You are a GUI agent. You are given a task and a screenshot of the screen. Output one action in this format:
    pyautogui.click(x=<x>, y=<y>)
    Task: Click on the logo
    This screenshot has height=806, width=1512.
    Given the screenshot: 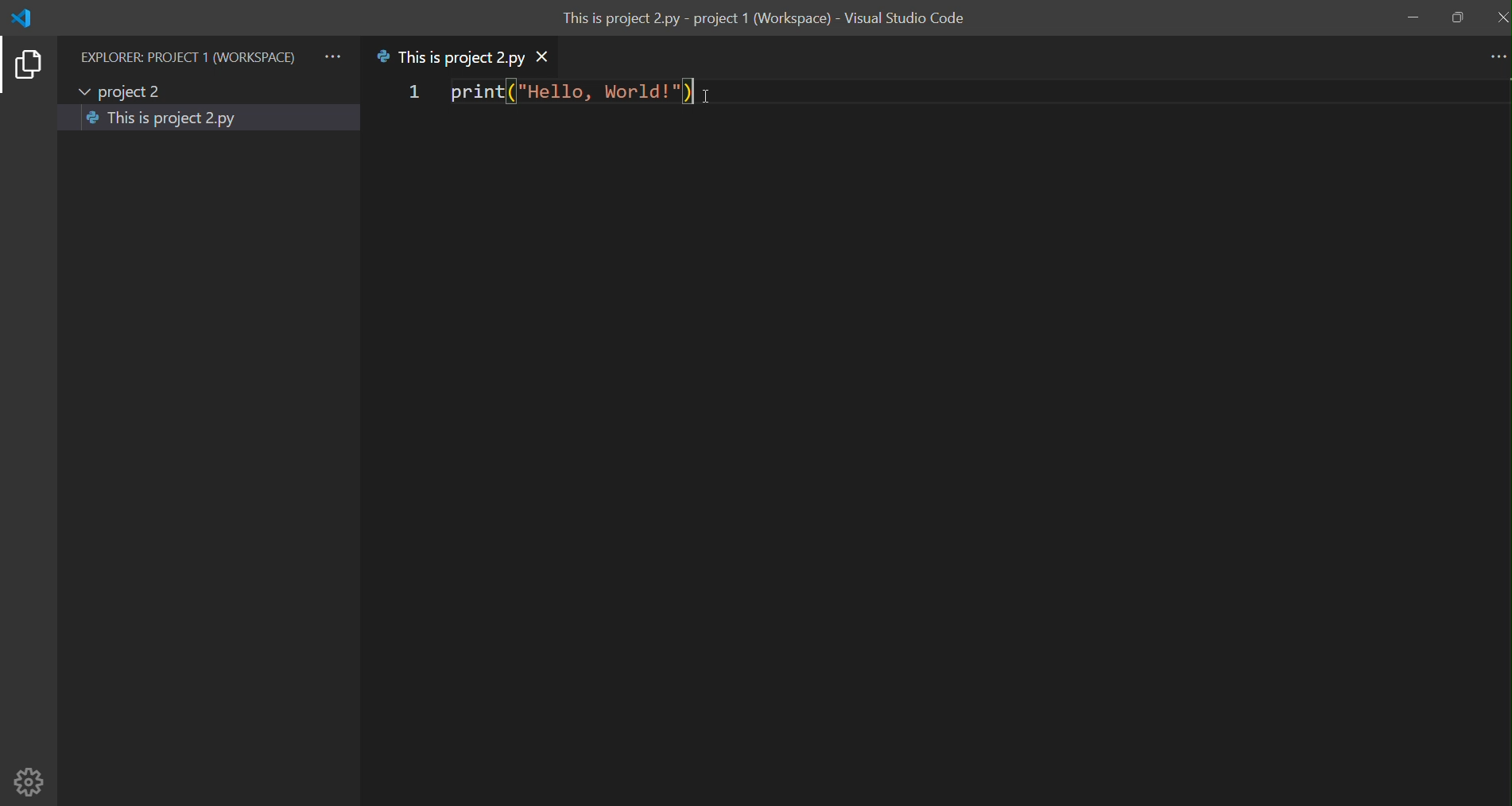 What is the action you would take?
    pyautogui.click(x=22, y=18)
    